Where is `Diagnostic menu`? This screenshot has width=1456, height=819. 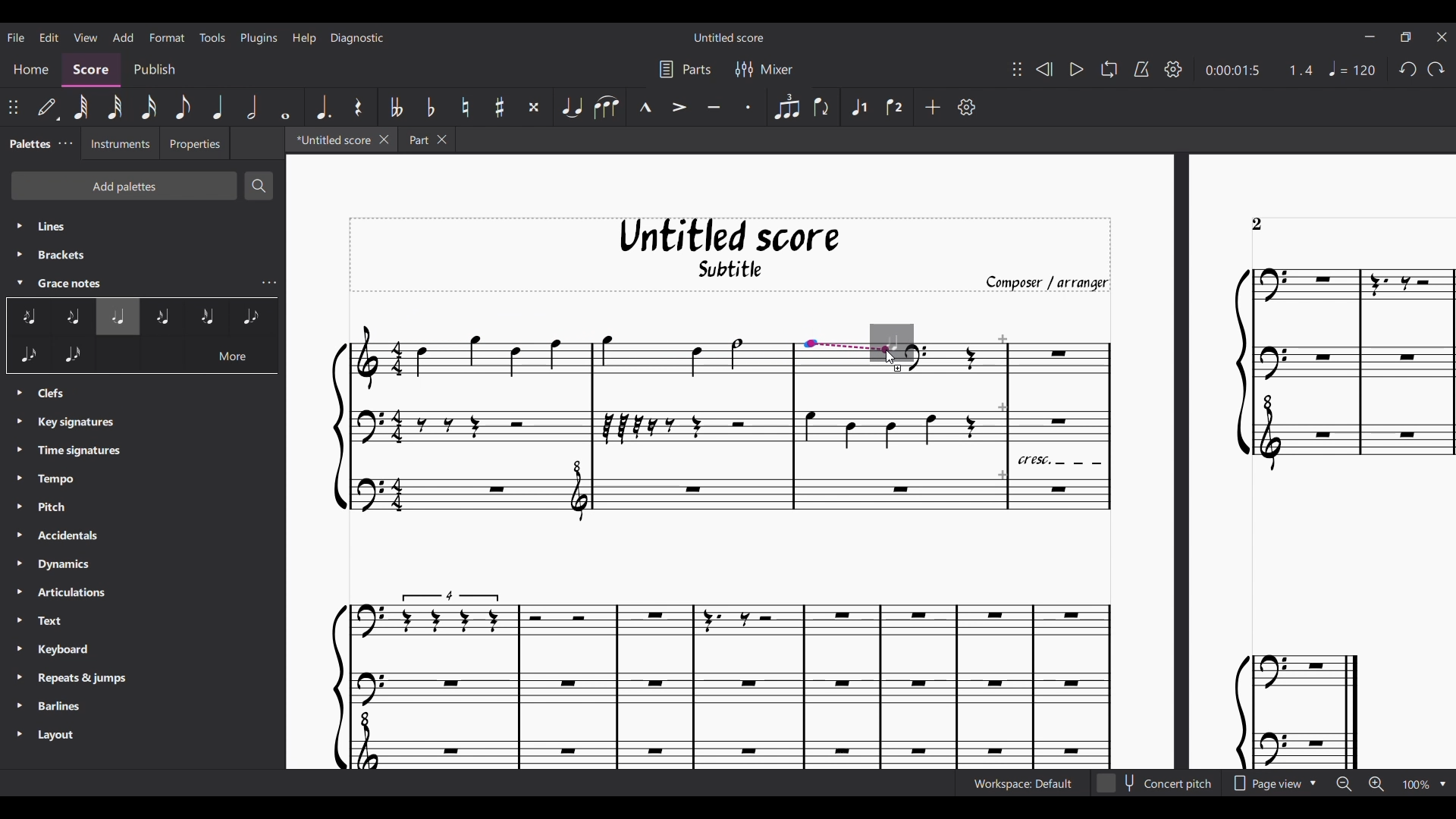
Diagnostic menu is located at coordinates (356, 38).